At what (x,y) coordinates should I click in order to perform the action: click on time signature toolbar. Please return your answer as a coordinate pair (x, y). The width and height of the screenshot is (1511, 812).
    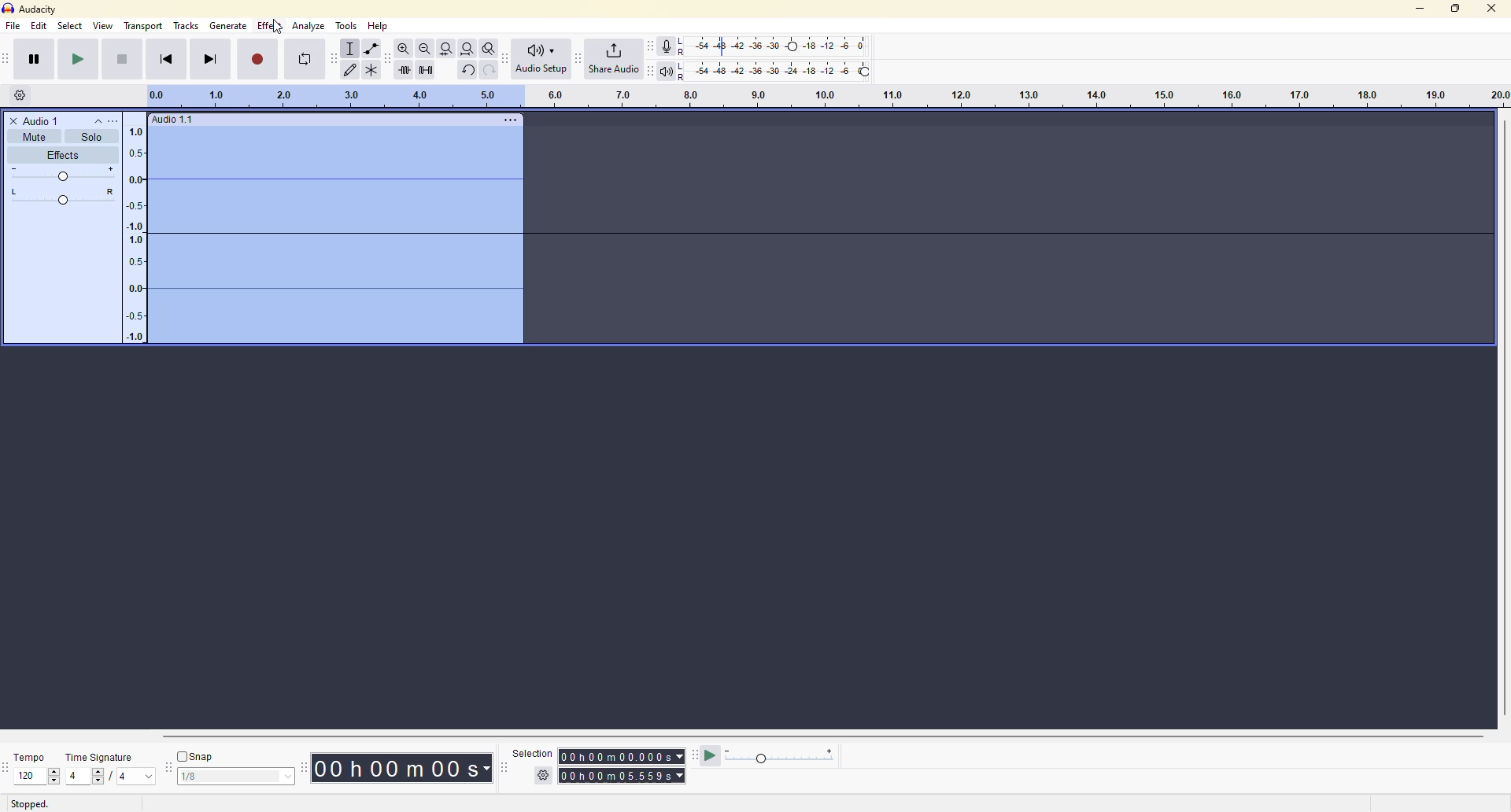
    Looking at the image, I should click on (6, 768).